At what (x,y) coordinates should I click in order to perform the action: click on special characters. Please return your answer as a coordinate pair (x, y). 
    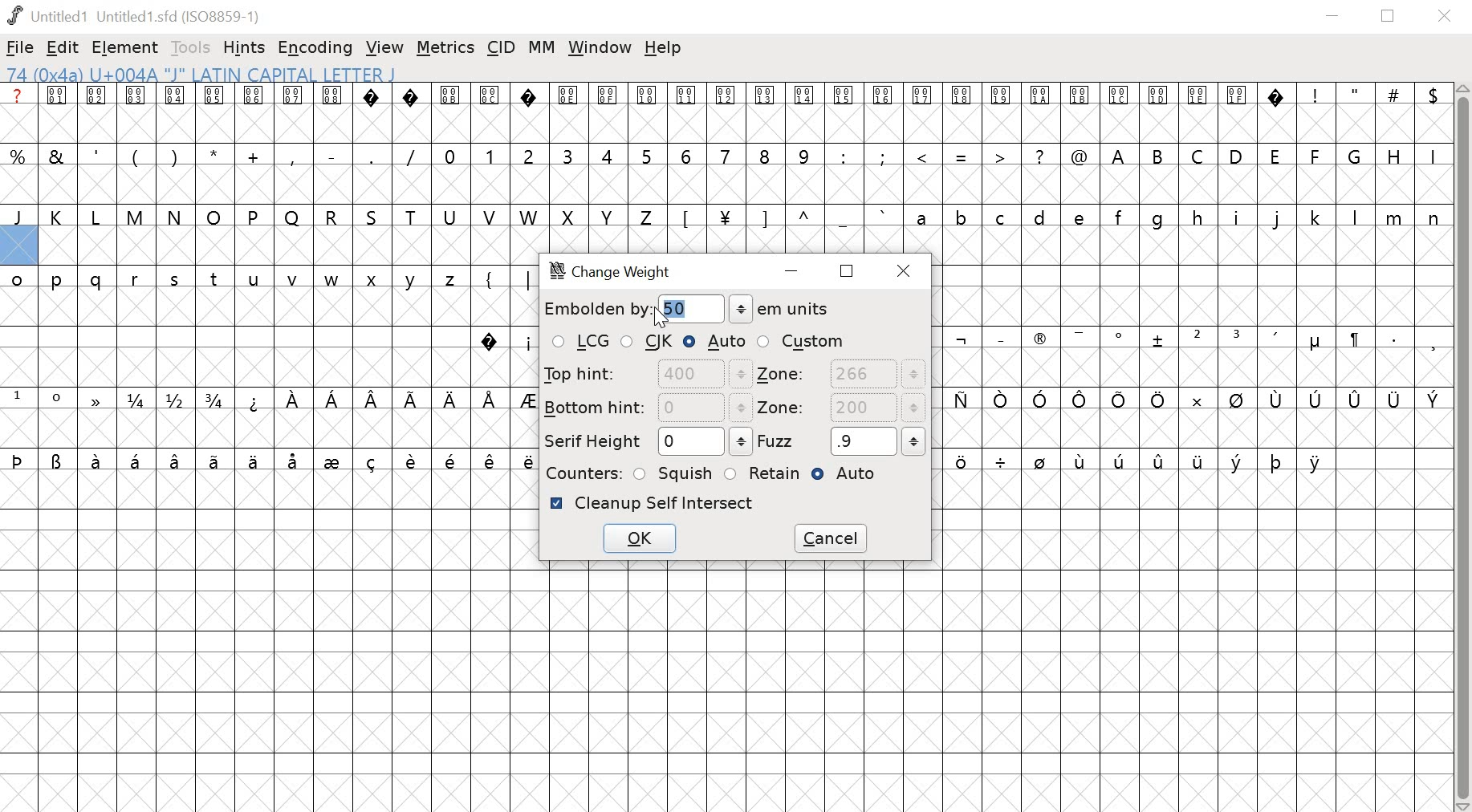
    Looking at the image, I should click on (958, 158).